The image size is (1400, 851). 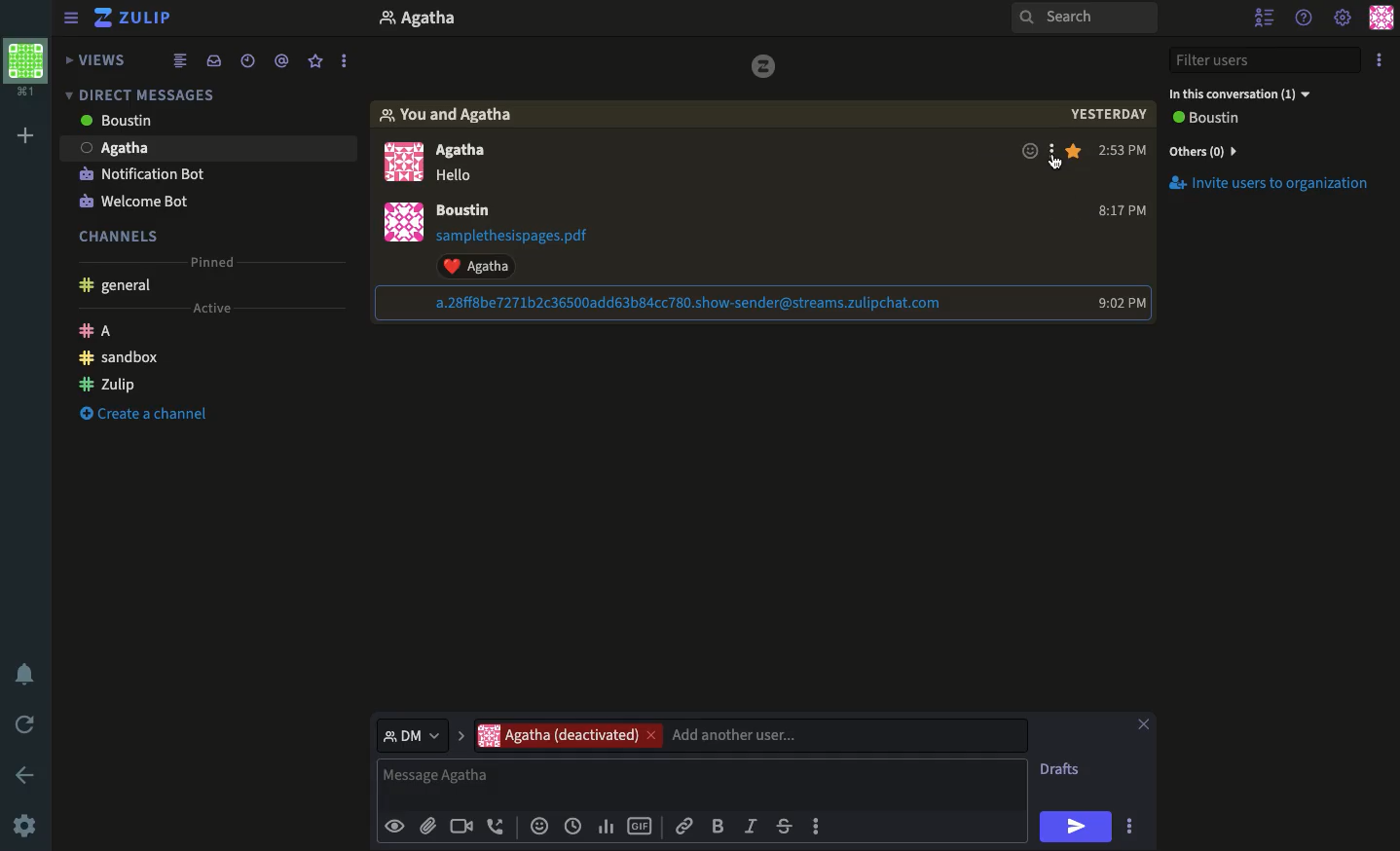 I want to click on Settings, so click(x=24, y=828).